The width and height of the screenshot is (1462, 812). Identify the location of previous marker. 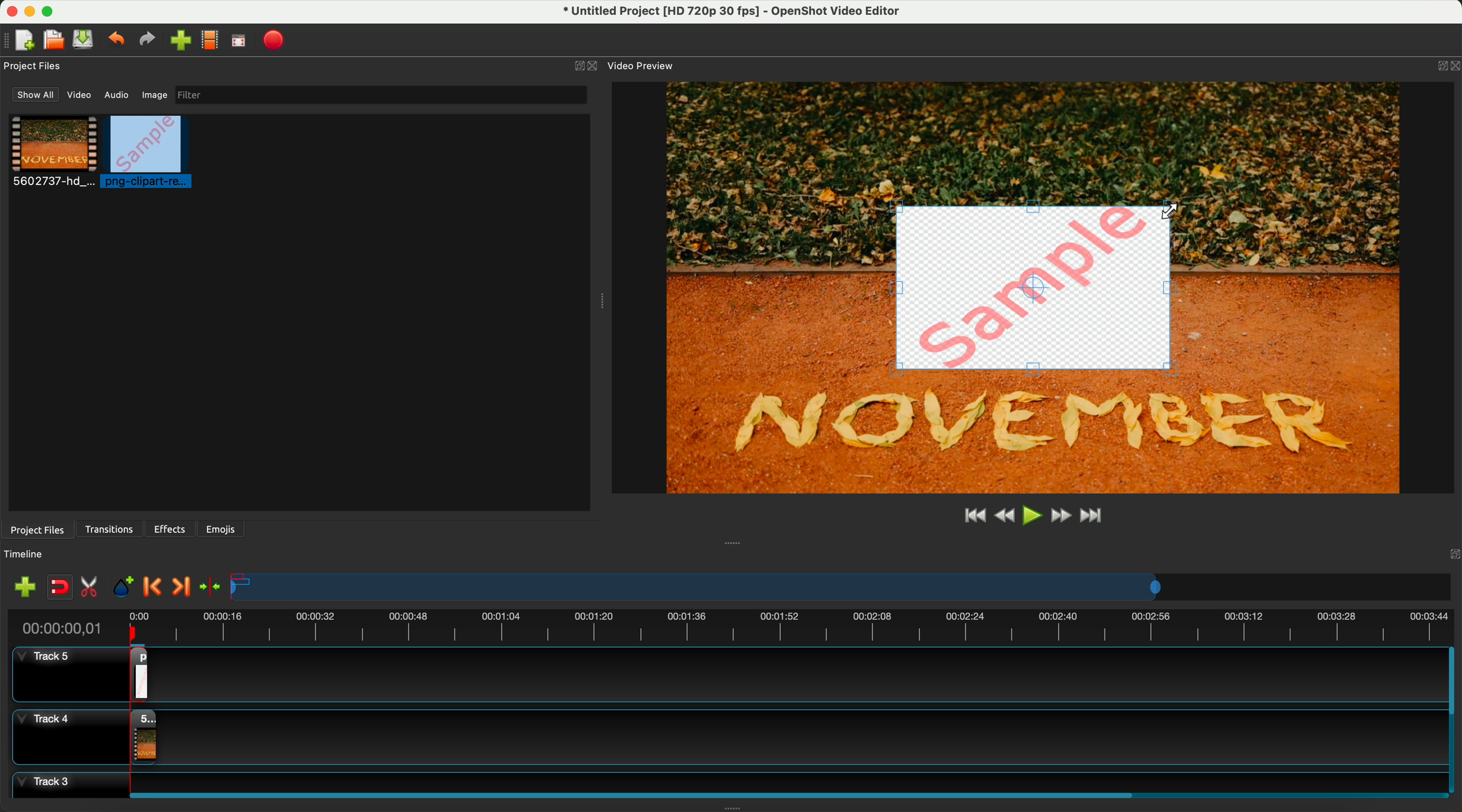
(156, 587).